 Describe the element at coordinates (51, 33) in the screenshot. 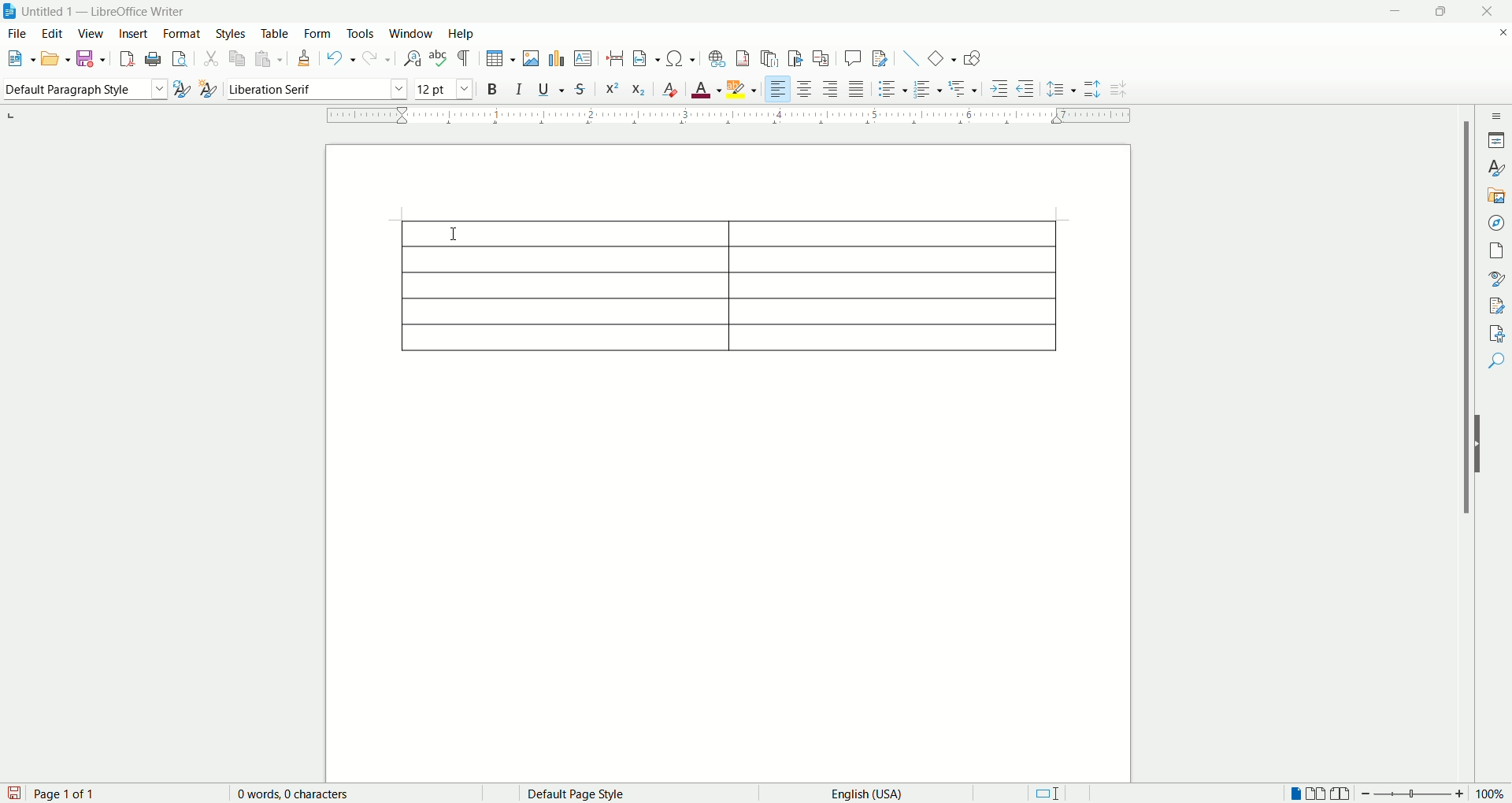

I see `edit` at that location.